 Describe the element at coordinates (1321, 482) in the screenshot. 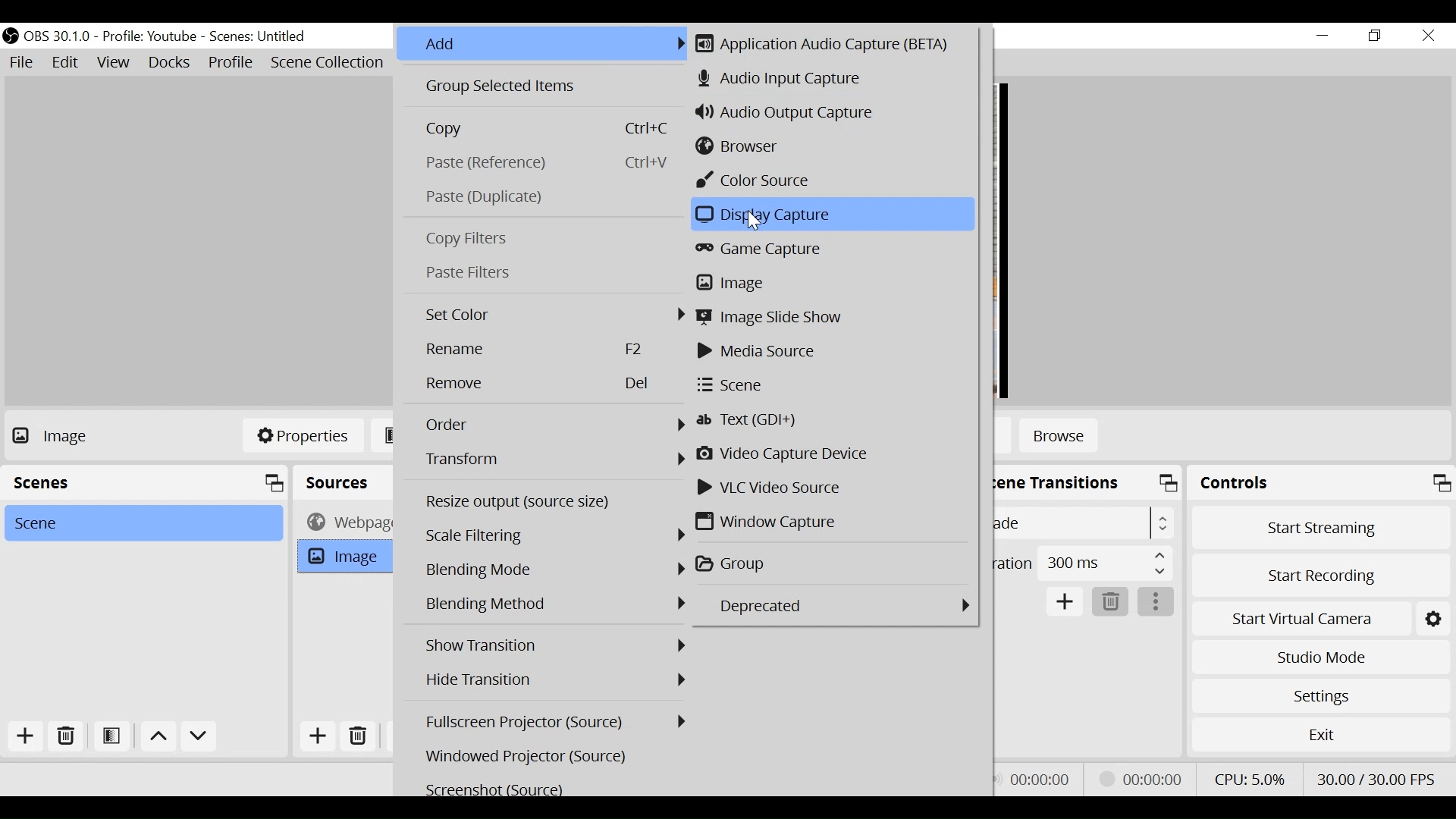

I see `Control Panel` at that location.